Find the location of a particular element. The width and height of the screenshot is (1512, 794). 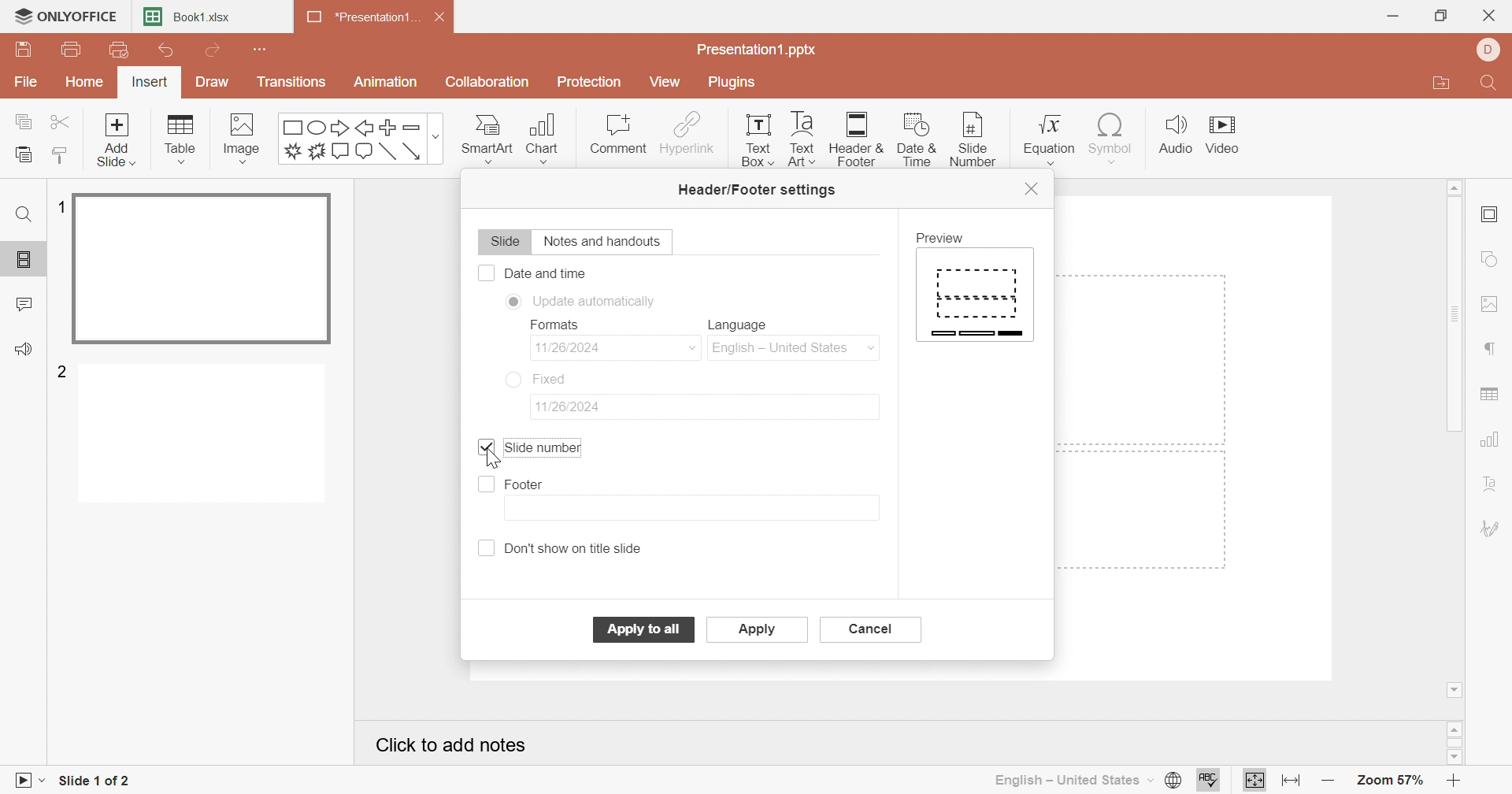

cursor is located at coordinates (975, 137).